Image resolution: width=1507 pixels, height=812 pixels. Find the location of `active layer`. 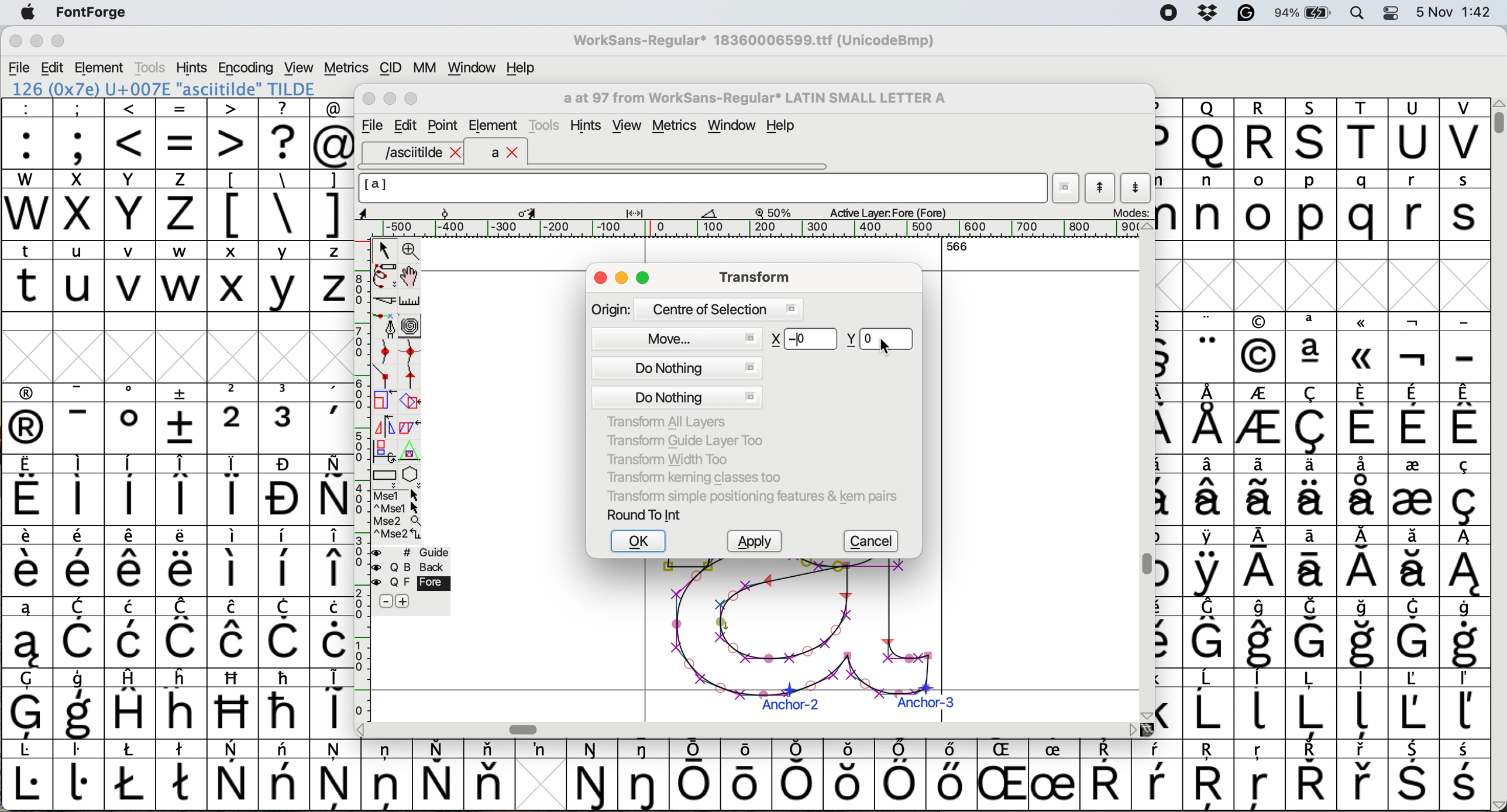

active layer is located at coordinates (886, 212).